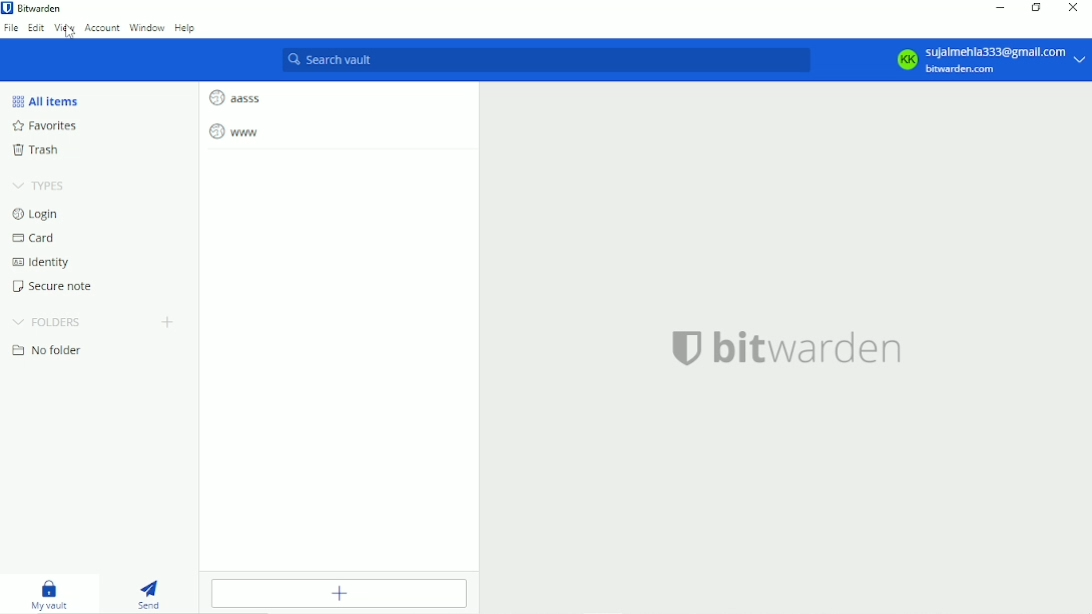 The height and width of the screenshot is (614, 1092). What do you see at coordinates (339, 593) in the screenshot?
I see `Add item` at bounding box center [339, 593].